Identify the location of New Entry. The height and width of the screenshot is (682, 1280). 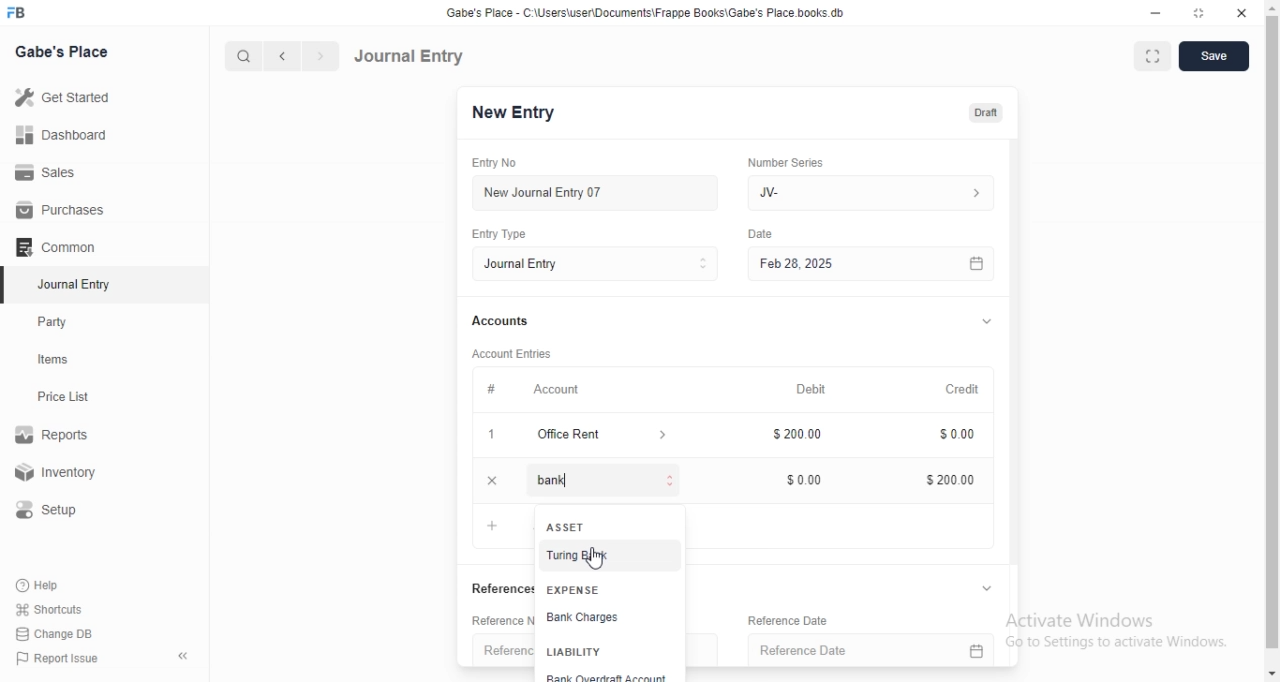
(521, 113).